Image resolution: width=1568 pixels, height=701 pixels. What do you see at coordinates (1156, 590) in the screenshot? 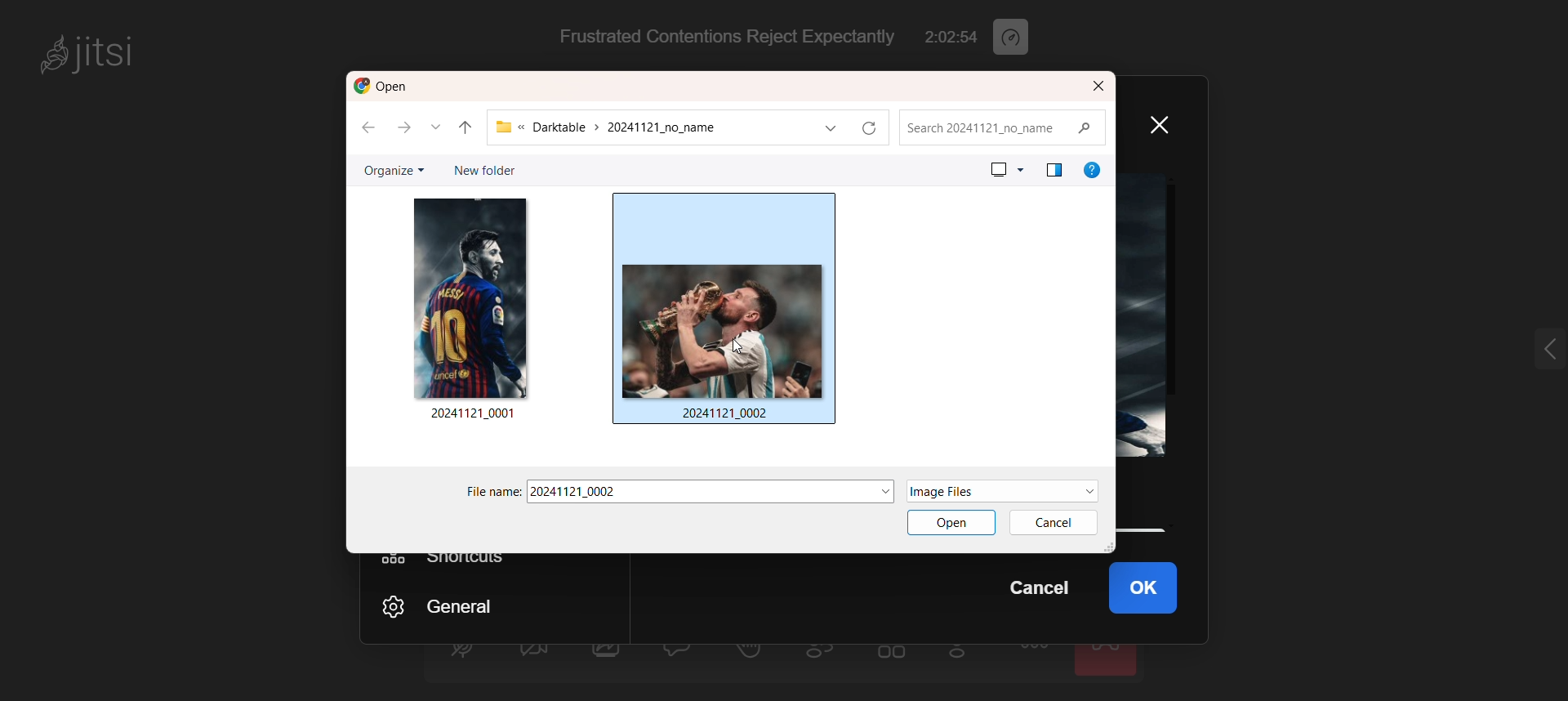
I see `ok` at bounding box center [1156, 590].